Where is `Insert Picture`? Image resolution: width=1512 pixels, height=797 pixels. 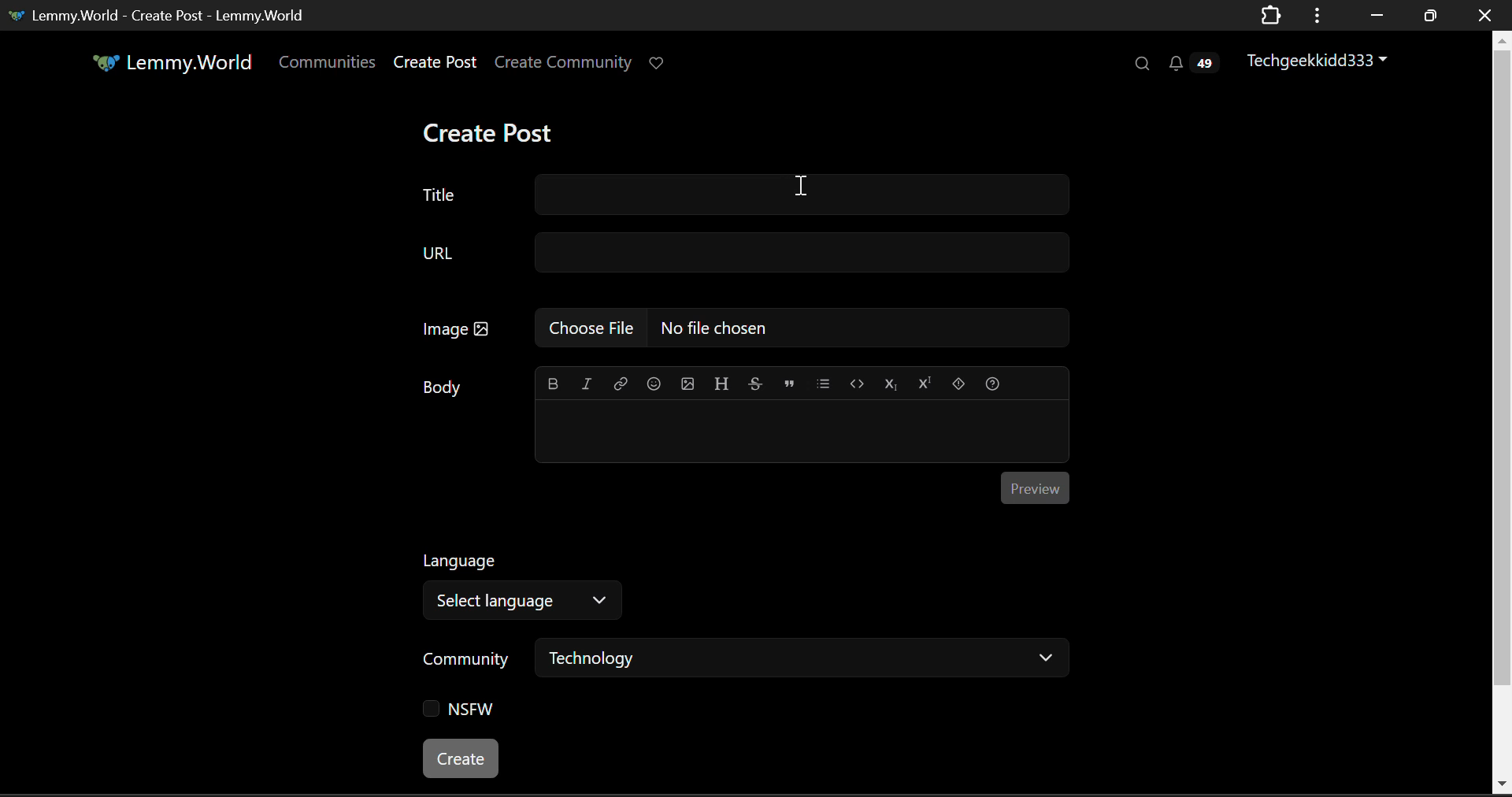 Insert Picture is located at coordinates (688, 385).